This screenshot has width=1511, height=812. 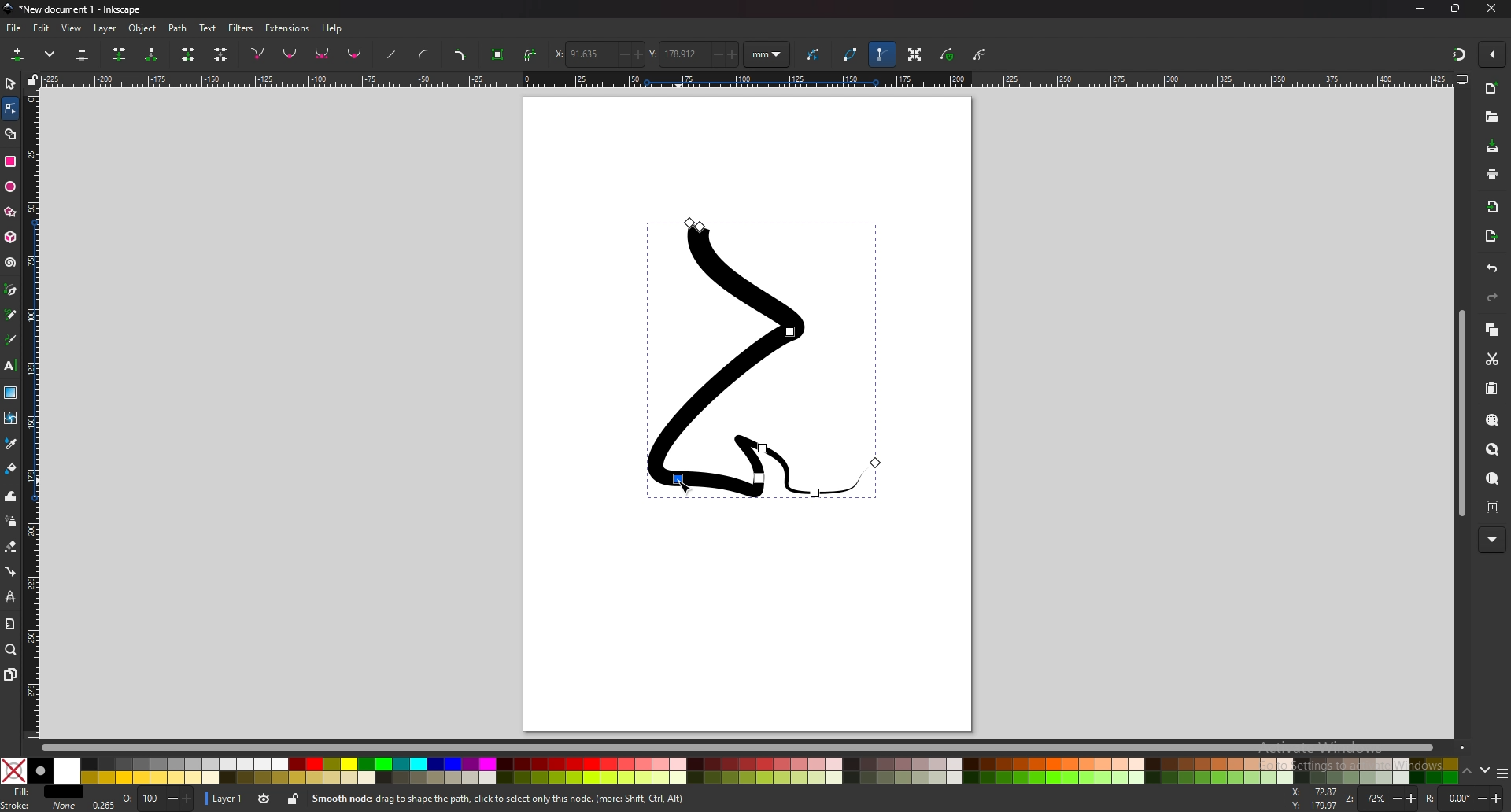 What do you see at coordinates (535, 799) in the screenshot?
I see `info` at bounding box center [535, 799].